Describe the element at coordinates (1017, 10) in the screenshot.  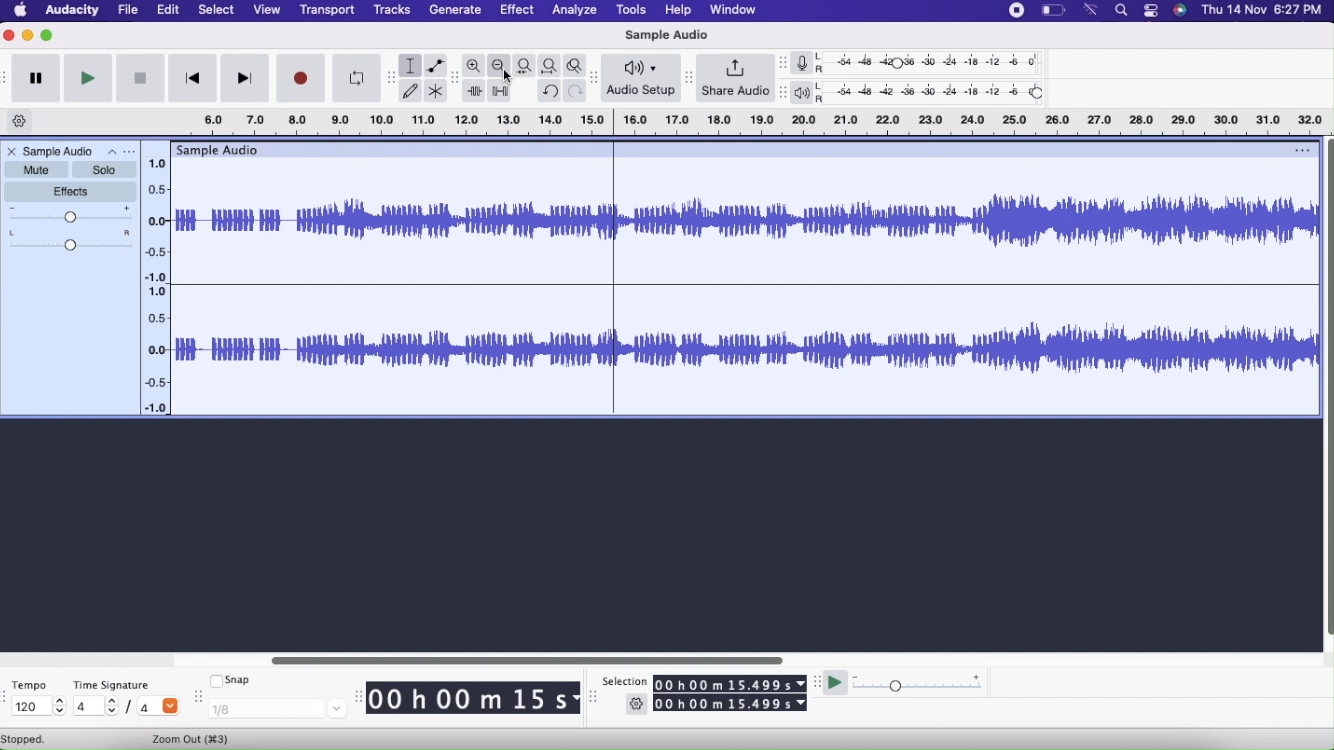
I see `stop` at that location.